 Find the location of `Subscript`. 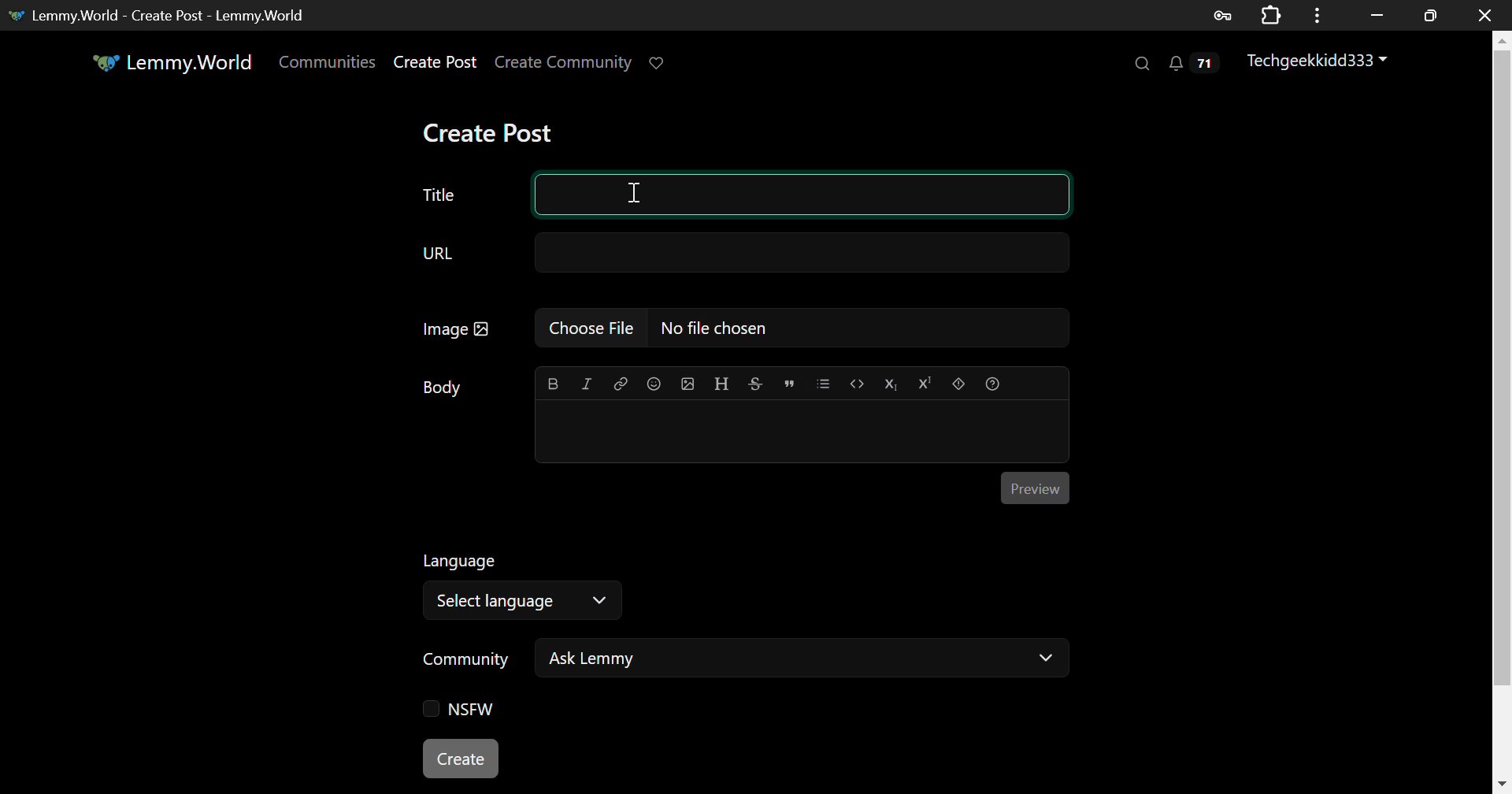

Subscript is located at coordinates (889, 384).